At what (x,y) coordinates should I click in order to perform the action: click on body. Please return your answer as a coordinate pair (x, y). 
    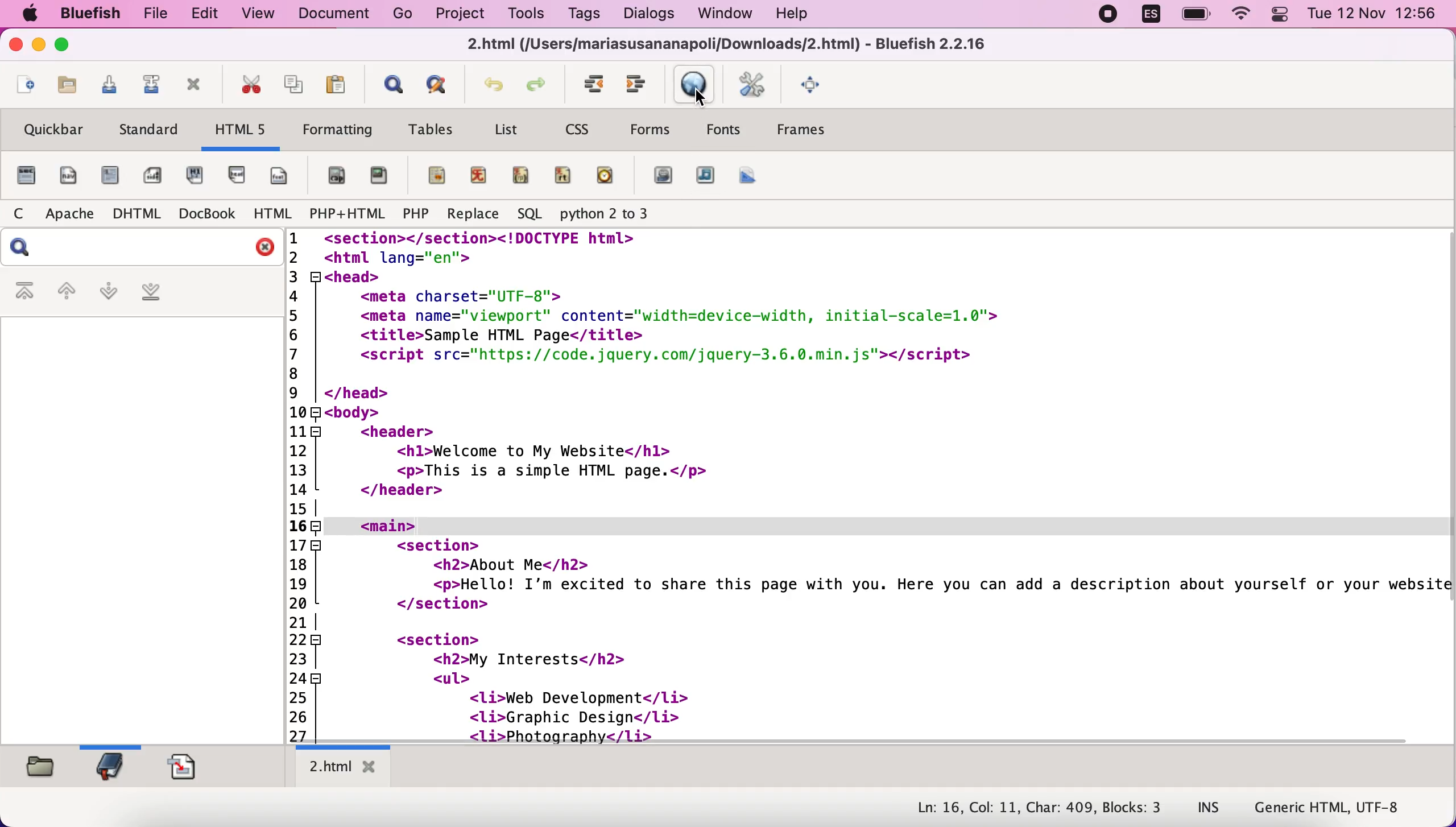
    Looking at the image, I should click on (69, 176).